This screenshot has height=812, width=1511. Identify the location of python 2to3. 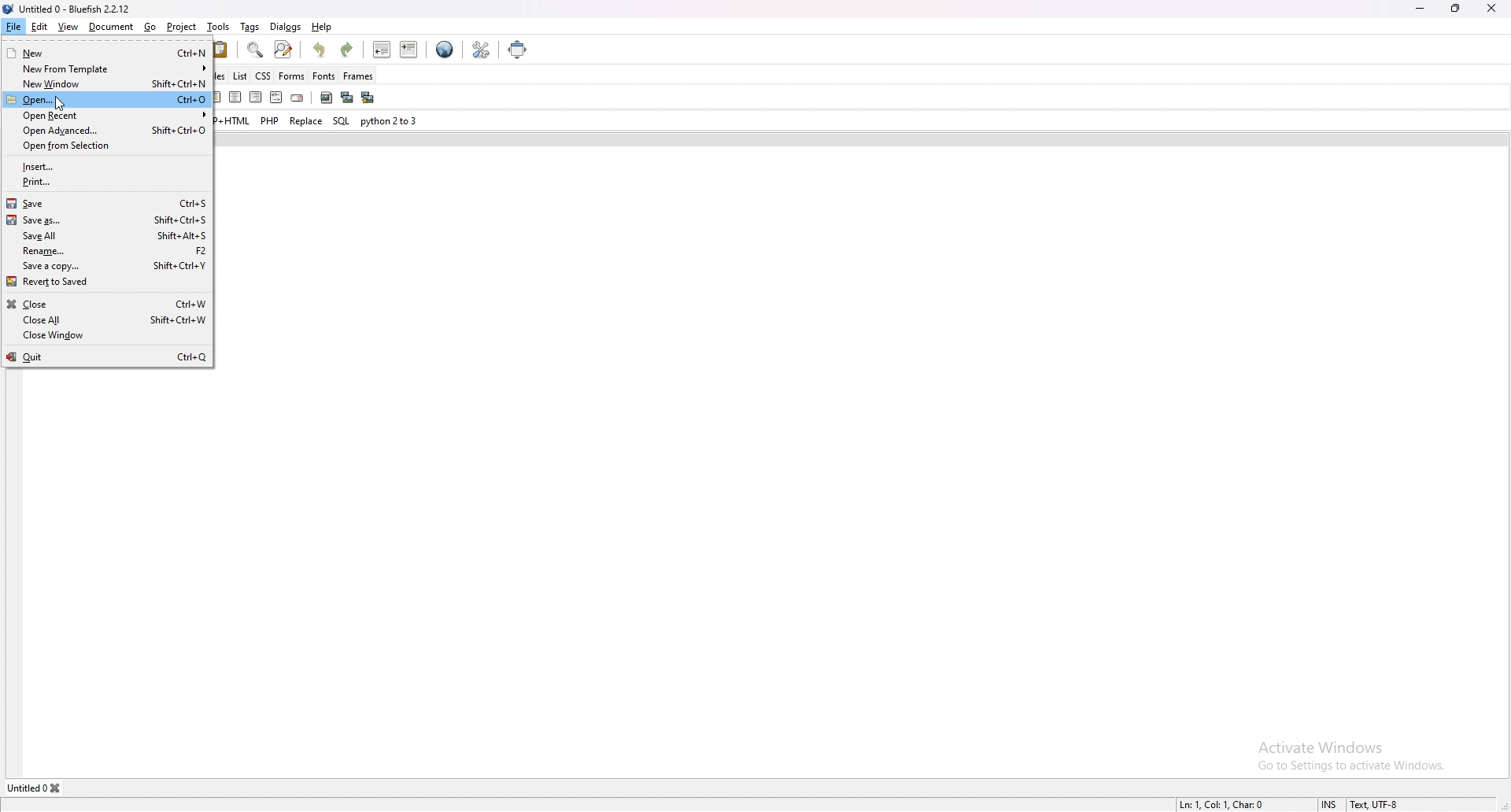
(390, 120).